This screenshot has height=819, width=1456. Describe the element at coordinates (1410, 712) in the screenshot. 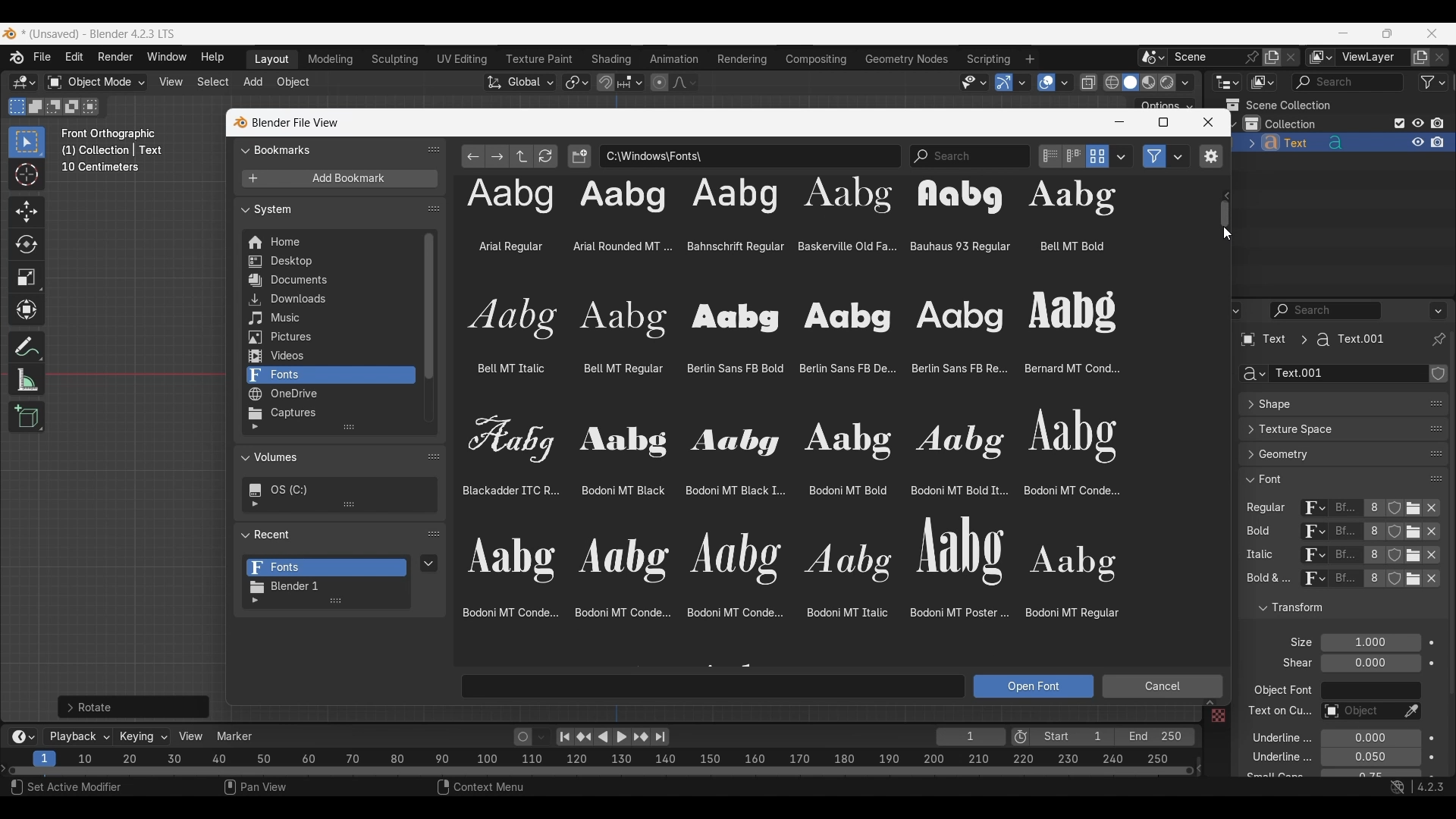

I see `Eyedropper data-block` at that location.